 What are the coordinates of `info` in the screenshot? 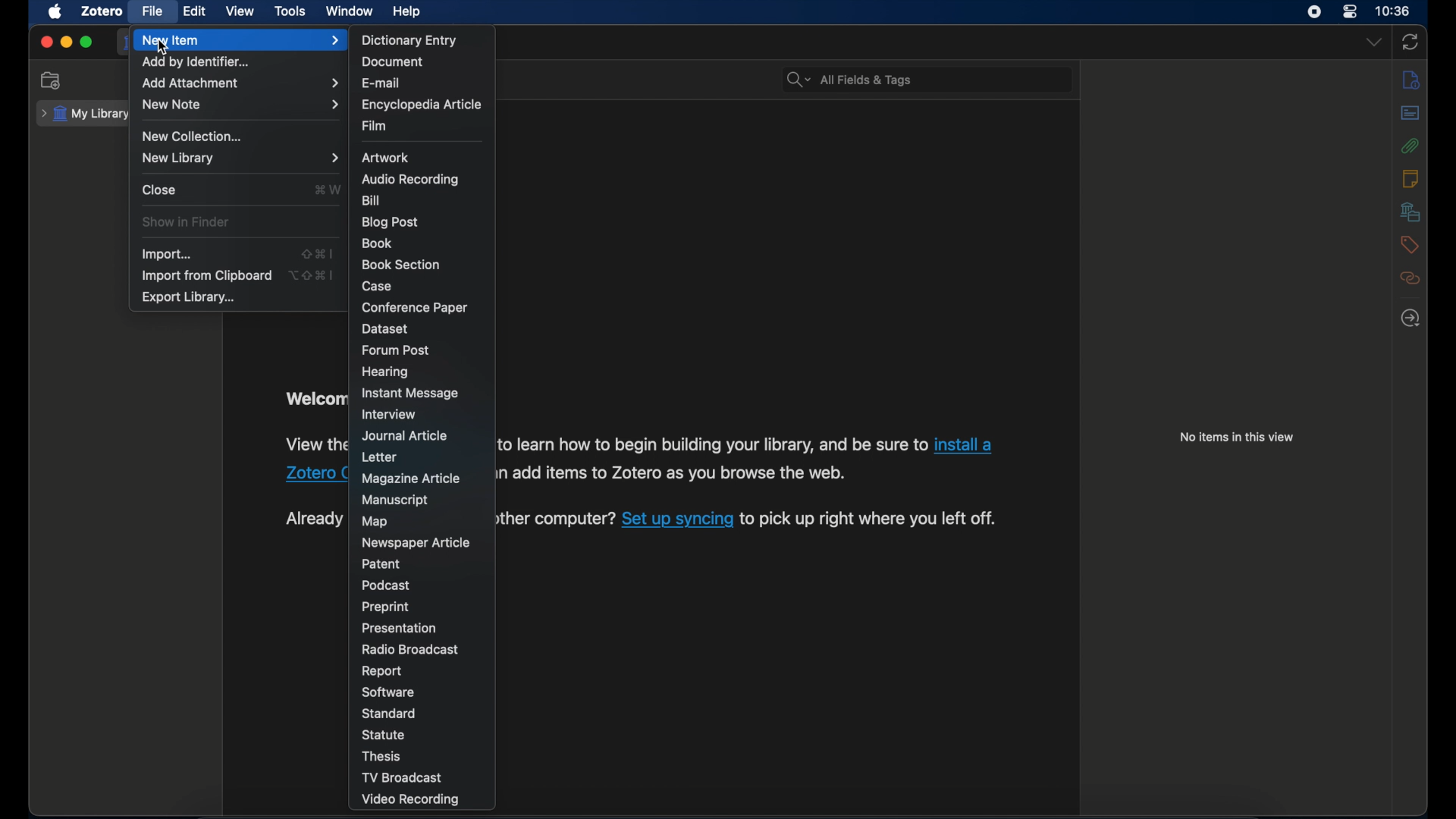 It's located at (1410, 81).